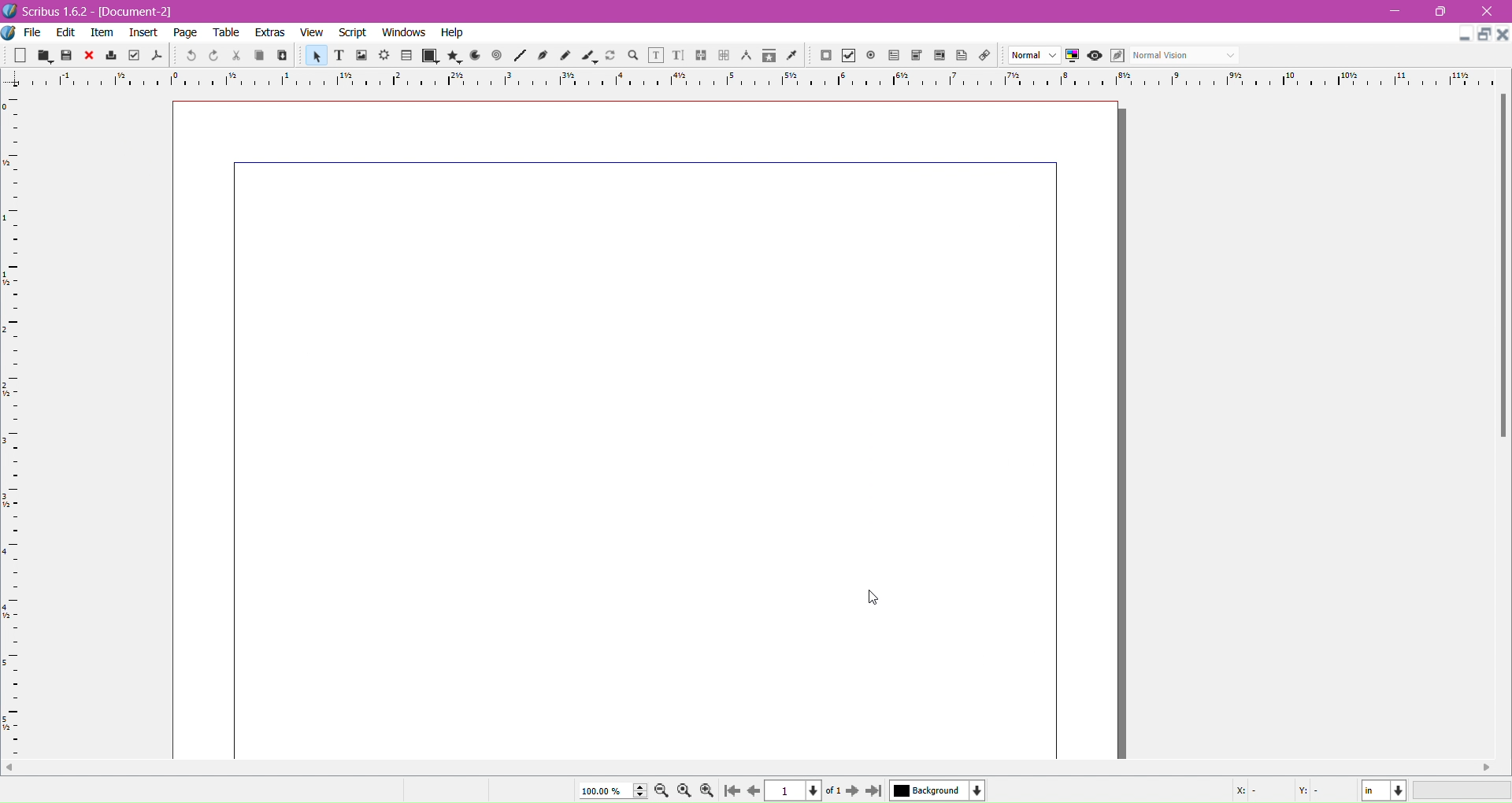 The height and width of the screenshot is (803, 1512). Describe the element at coordinates (943, 791) in the screenshot. I see `Background` at that location.